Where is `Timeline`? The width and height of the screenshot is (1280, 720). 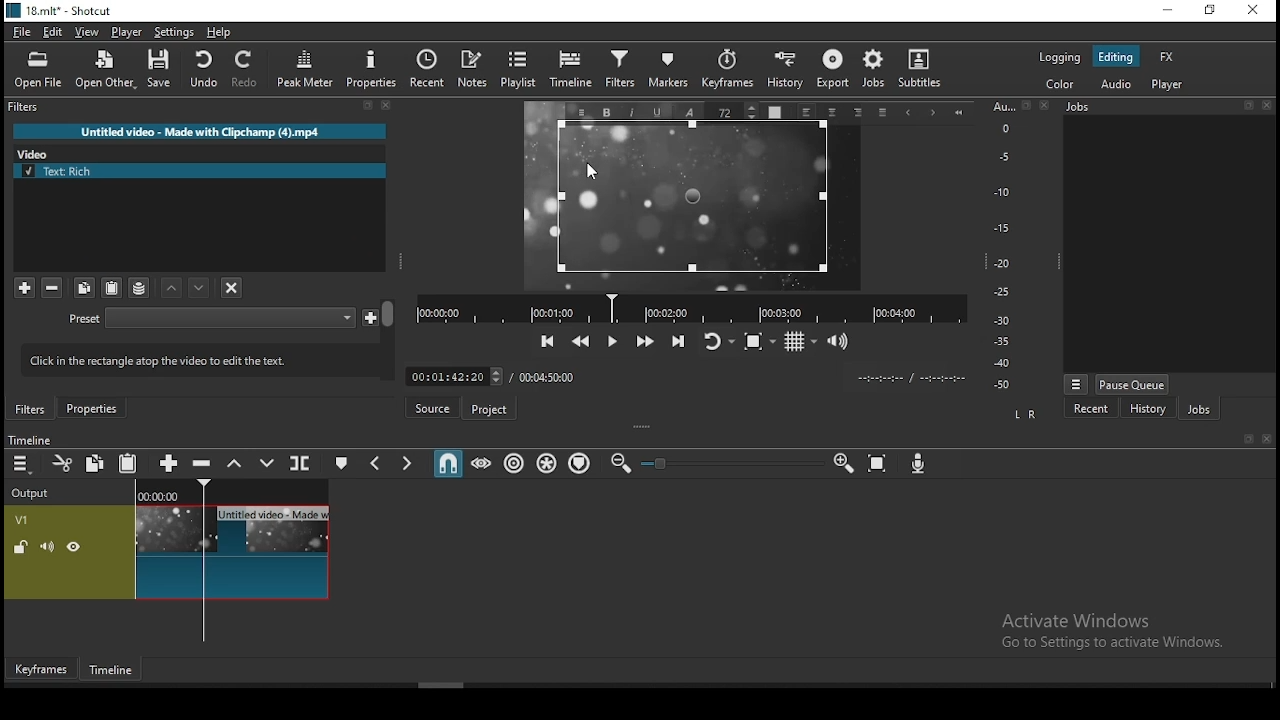 Timeline is located at coordinates (29, 439).